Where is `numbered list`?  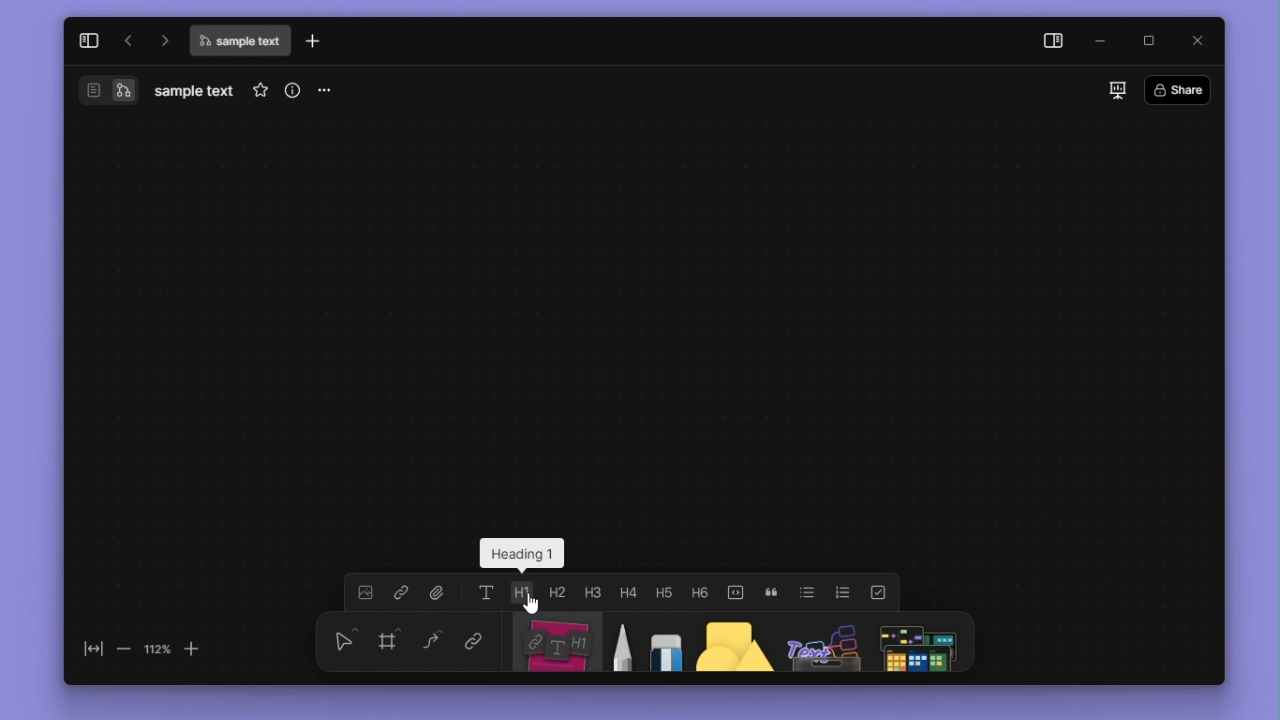 numbered list is located at coordinates (843, 593).